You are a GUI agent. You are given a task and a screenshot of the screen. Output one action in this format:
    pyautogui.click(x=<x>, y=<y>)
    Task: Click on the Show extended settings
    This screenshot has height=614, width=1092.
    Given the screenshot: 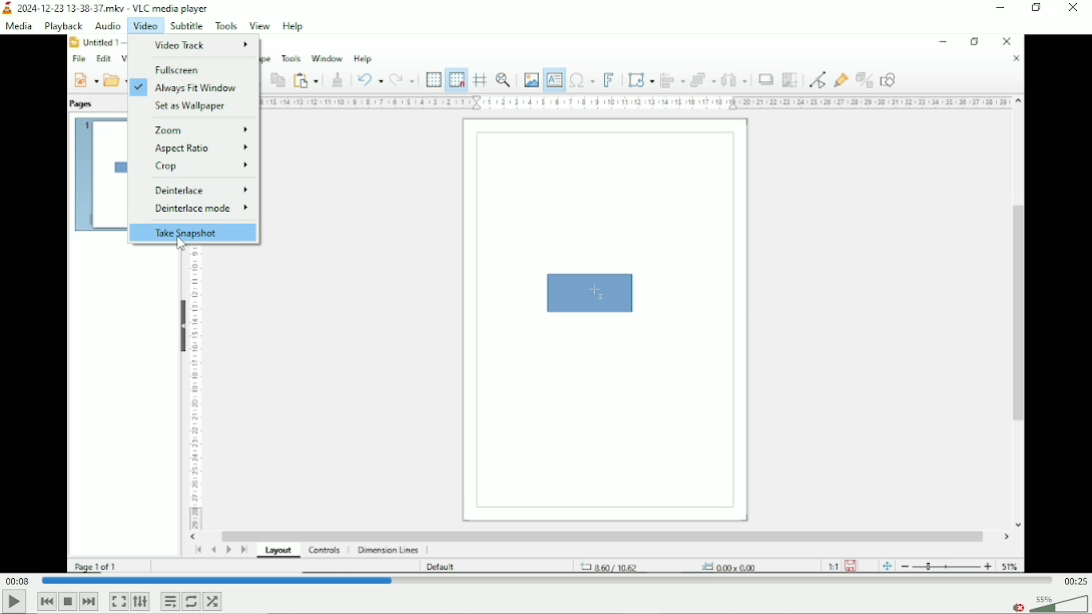 What is the action you would take?
    pyautogui.click(x=139, y=601)
    